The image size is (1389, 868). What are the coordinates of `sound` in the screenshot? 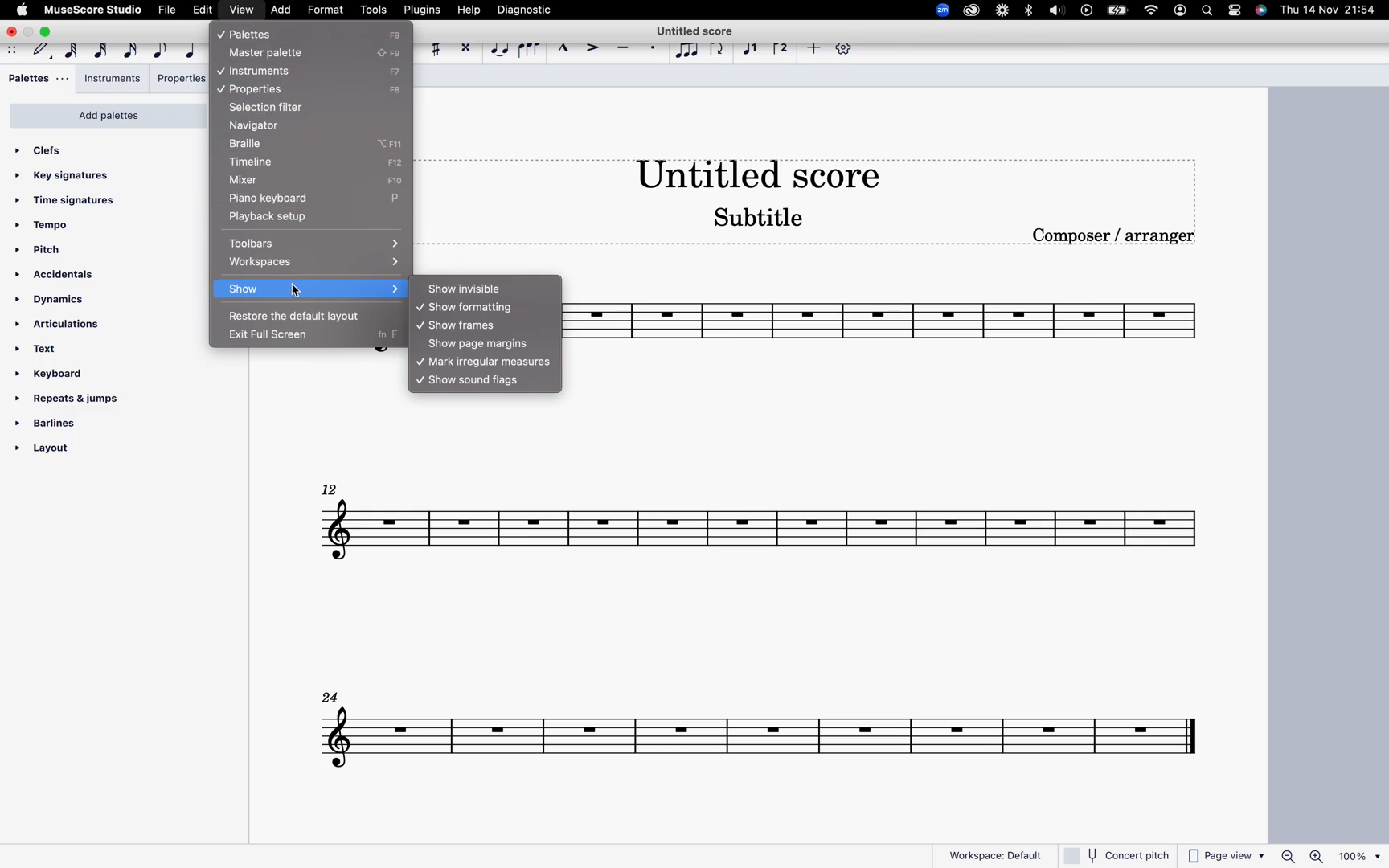 It's located at (1055, 12).